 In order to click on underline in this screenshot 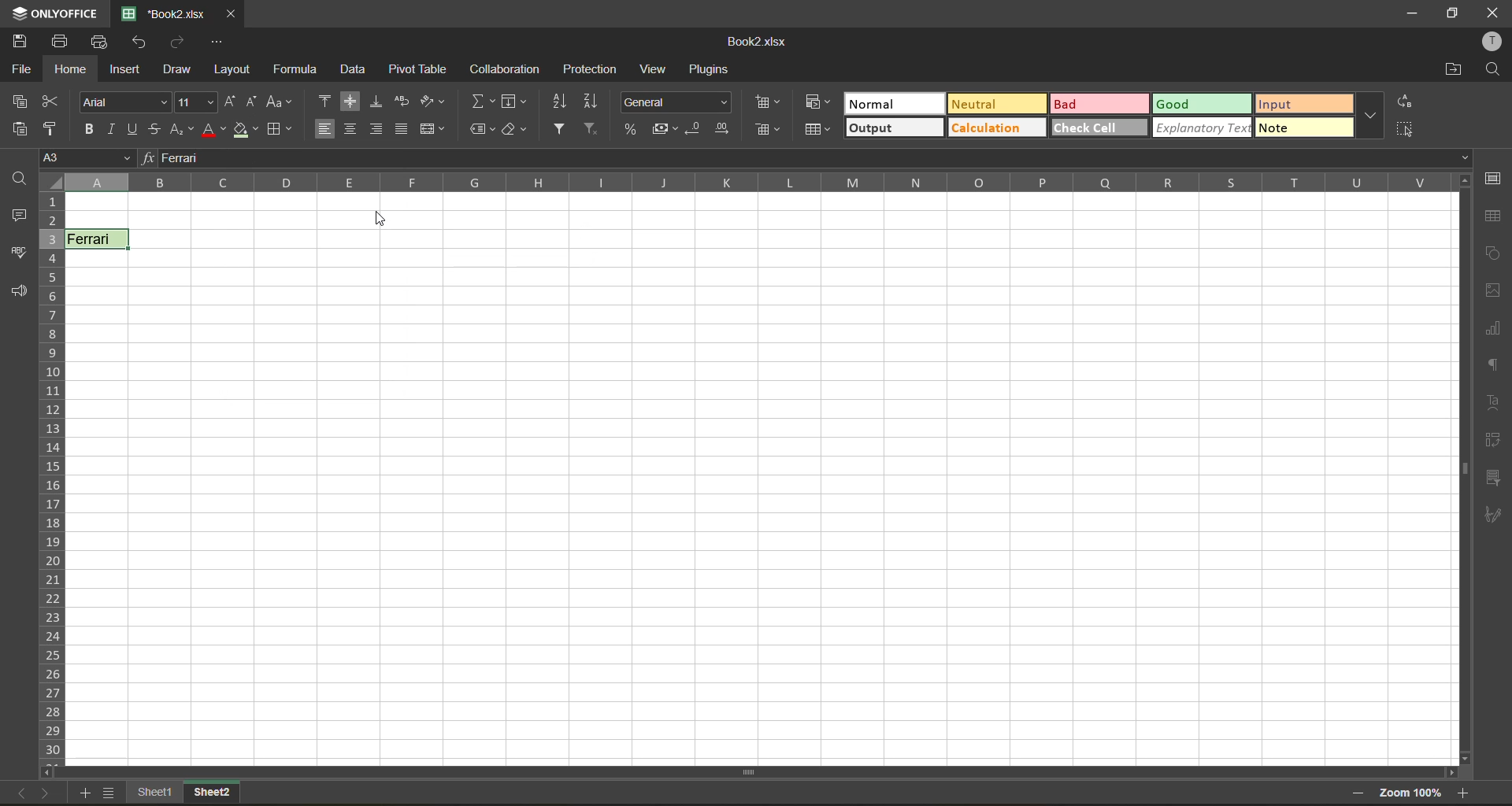, I will do `click(137, 129)`.